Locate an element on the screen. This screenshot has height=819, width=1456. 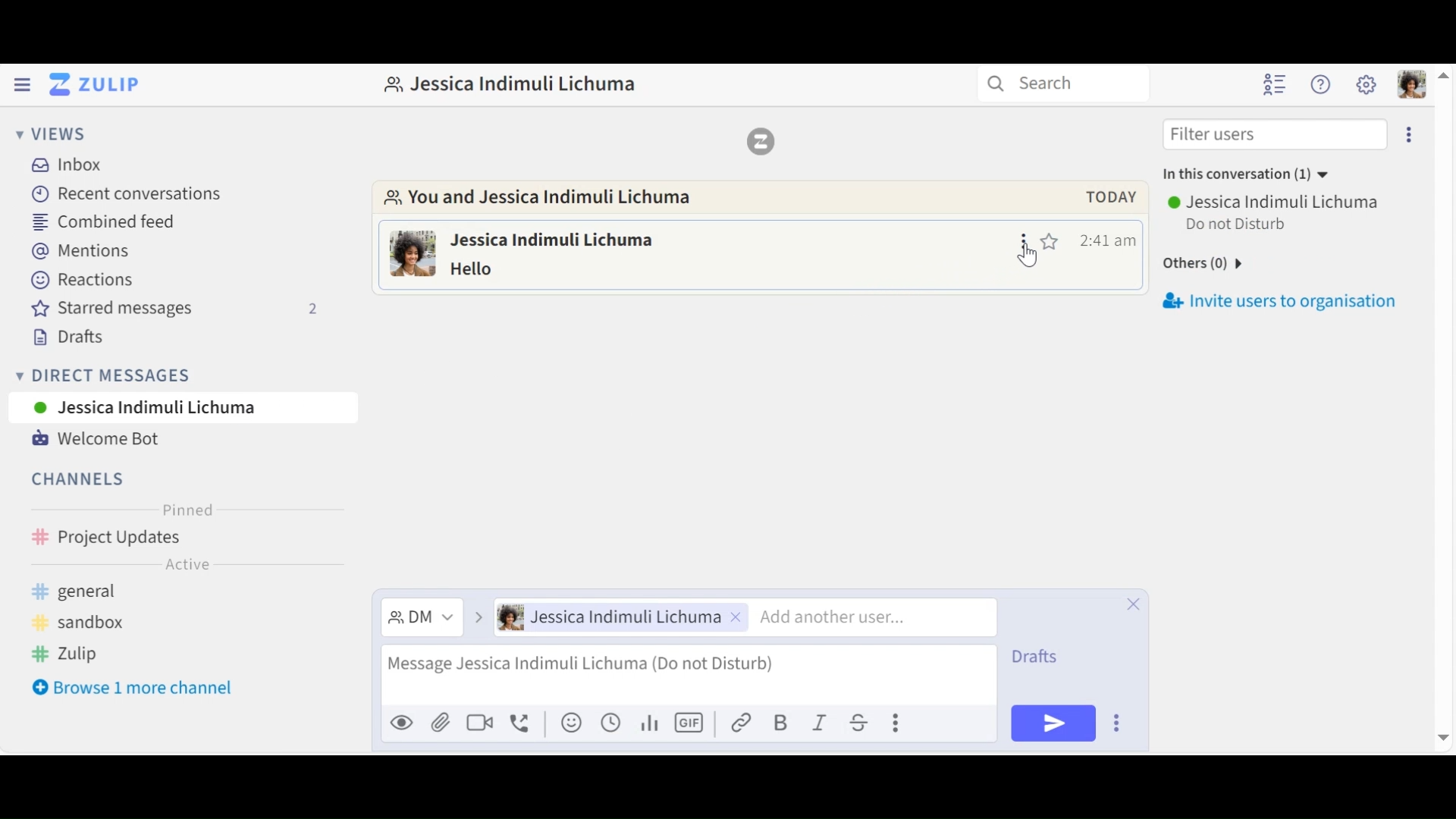
Drafts is located at coordinates (65, 337).